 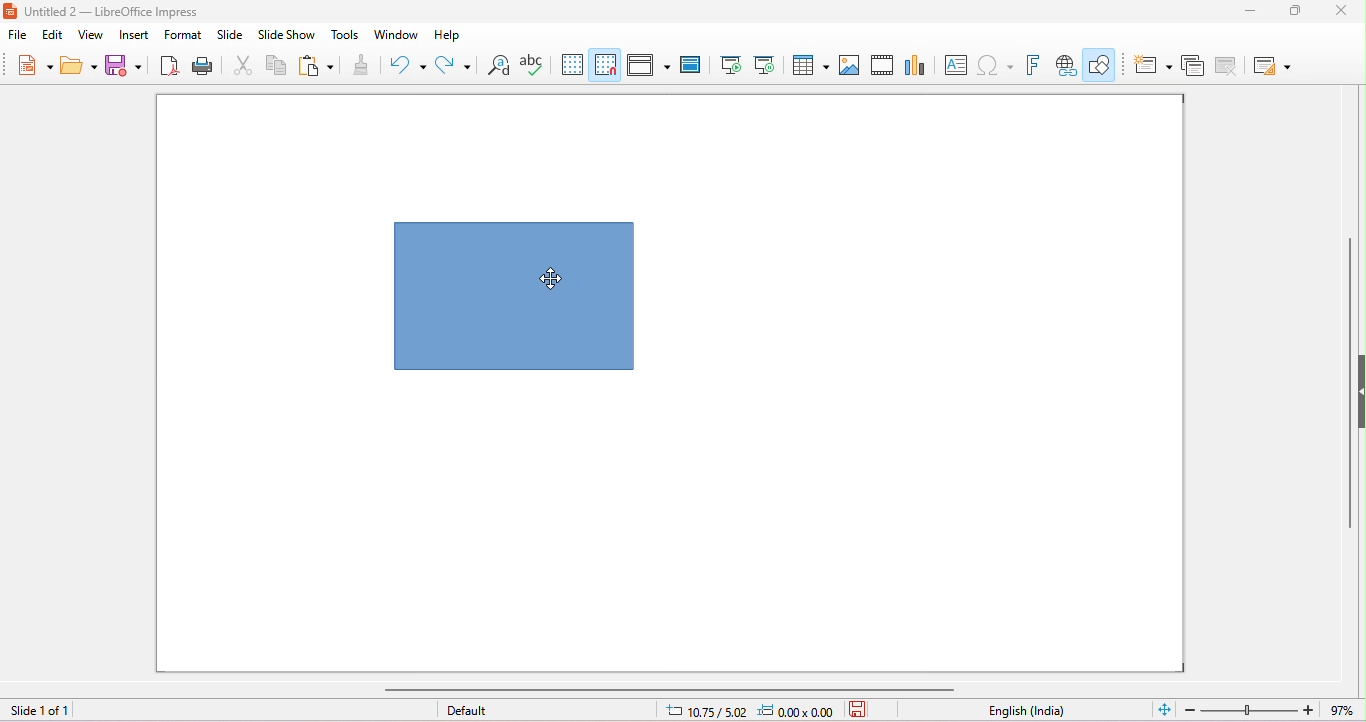 I want to click on insert text box, so click(x=954, y=64).